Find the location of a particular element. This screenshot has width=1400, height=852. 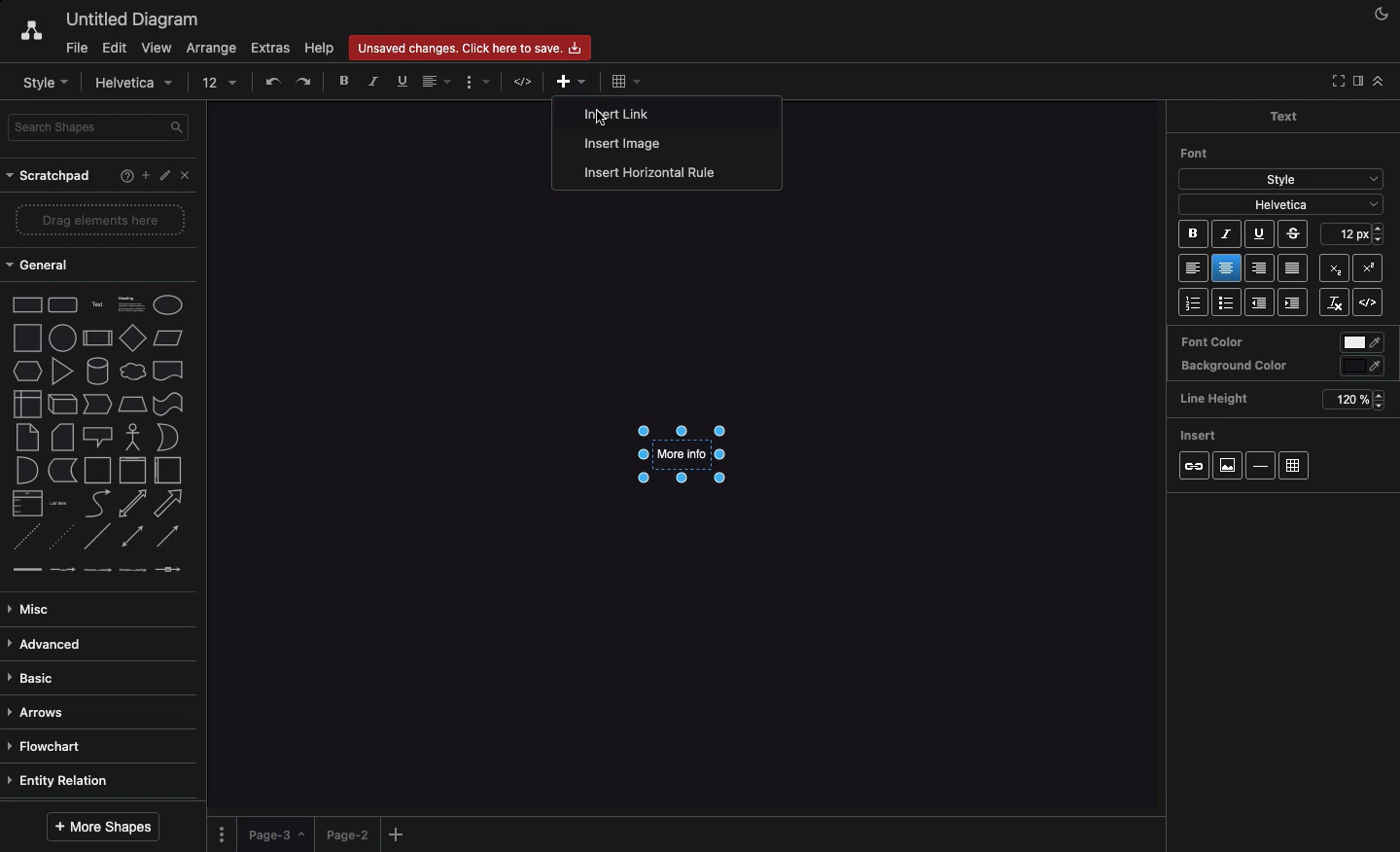

HTML is located at coordinates (525, 83).